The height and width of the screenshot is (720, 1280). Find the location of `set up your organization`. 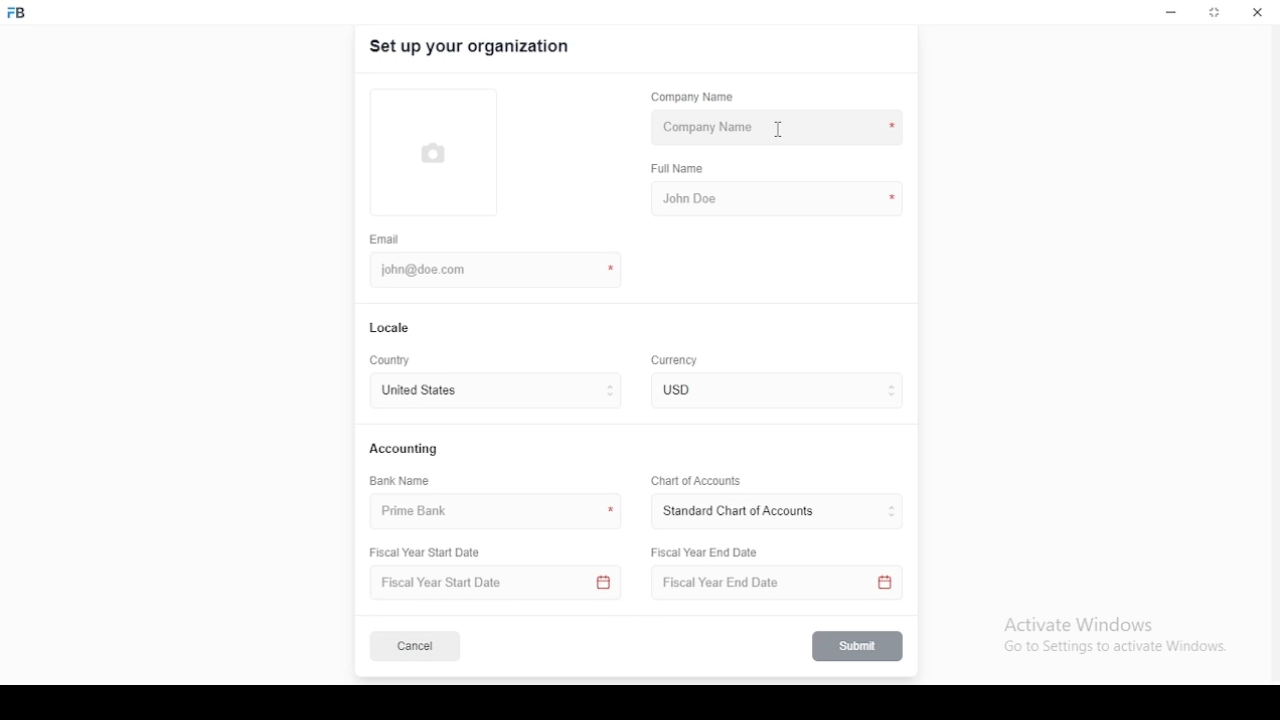

set up your organization is located at coordinates (471, 47).